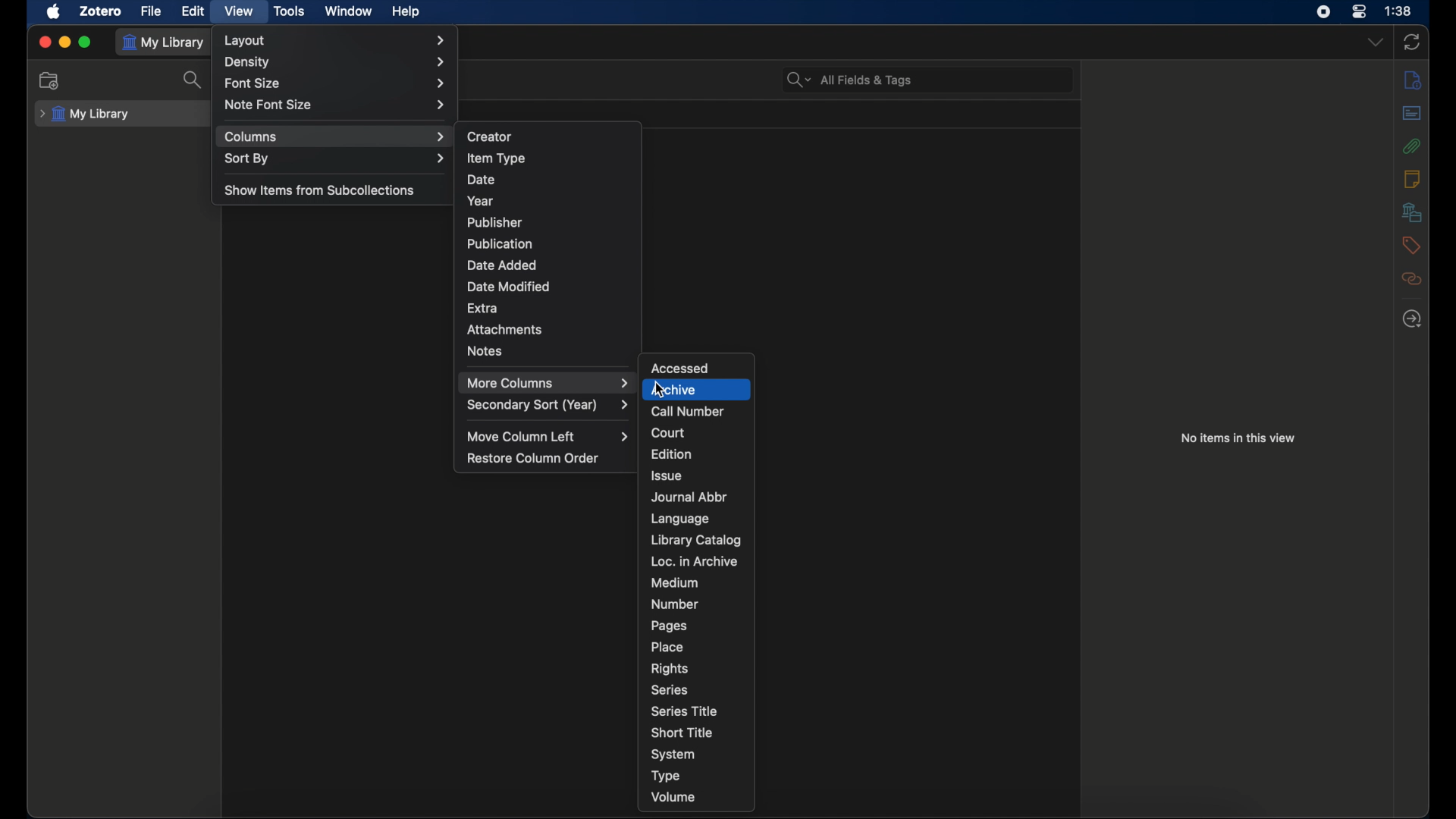 The width and height of the screenshot is (1456, 819). Describe the element at coordinates (51, 81) in the screenshot. I see `new collections` at that location.